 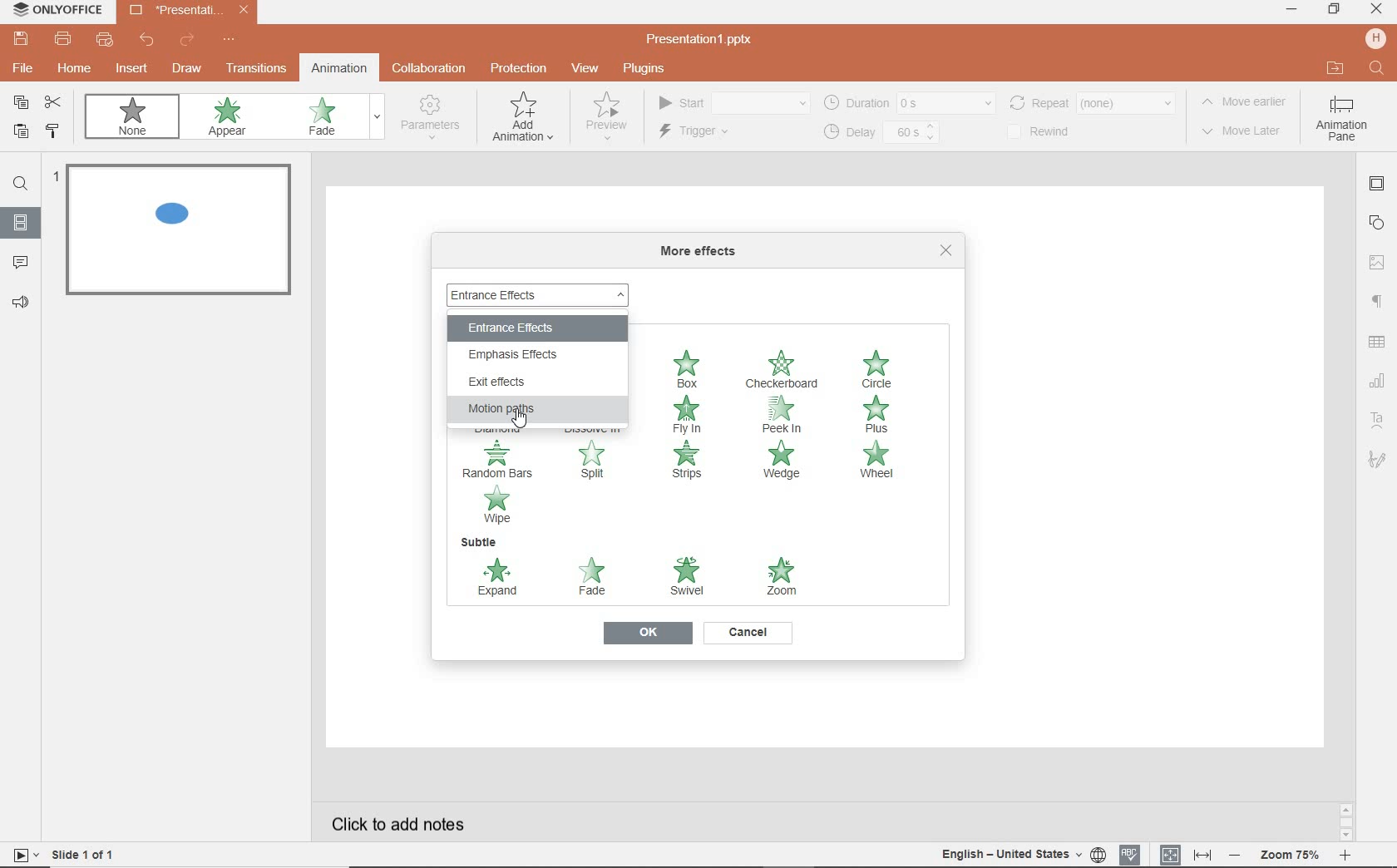 What do you see at coordinates (783, 371) in the screenshot?
I see `CHECKERBOARD` at bounding box center [783, 371].